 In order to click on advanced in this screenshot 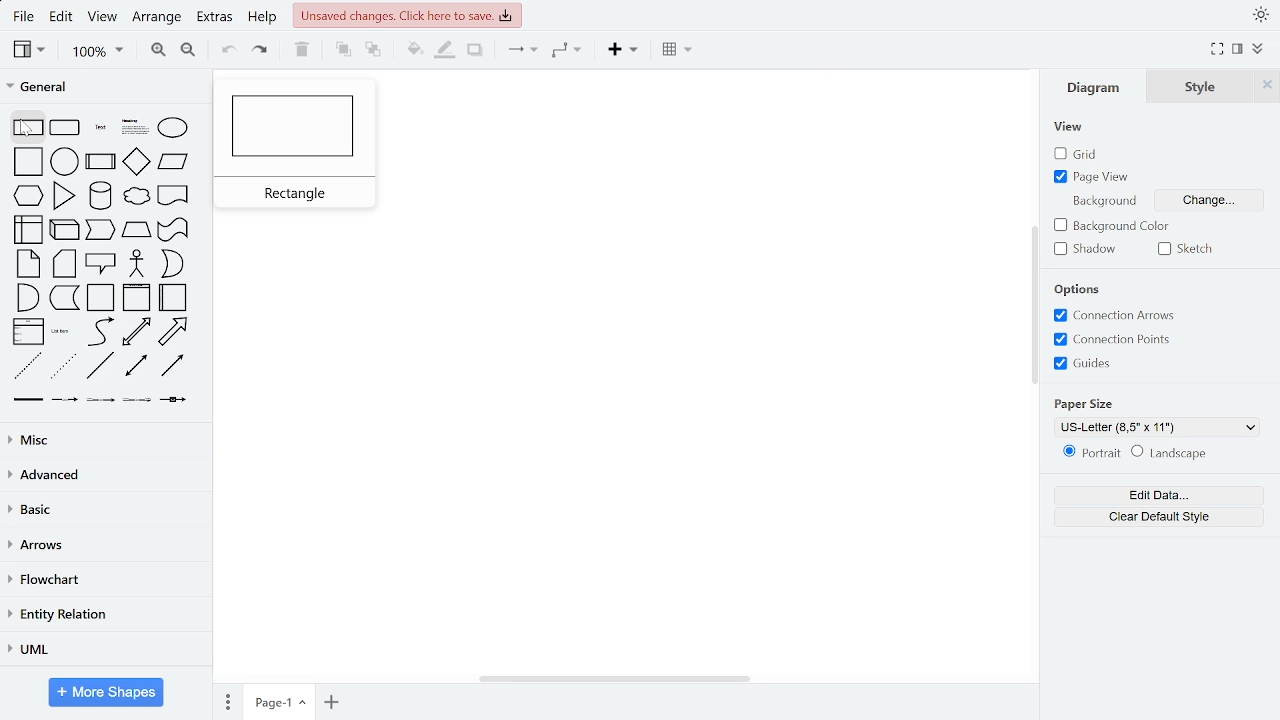, I will do `click(103, 476)`.